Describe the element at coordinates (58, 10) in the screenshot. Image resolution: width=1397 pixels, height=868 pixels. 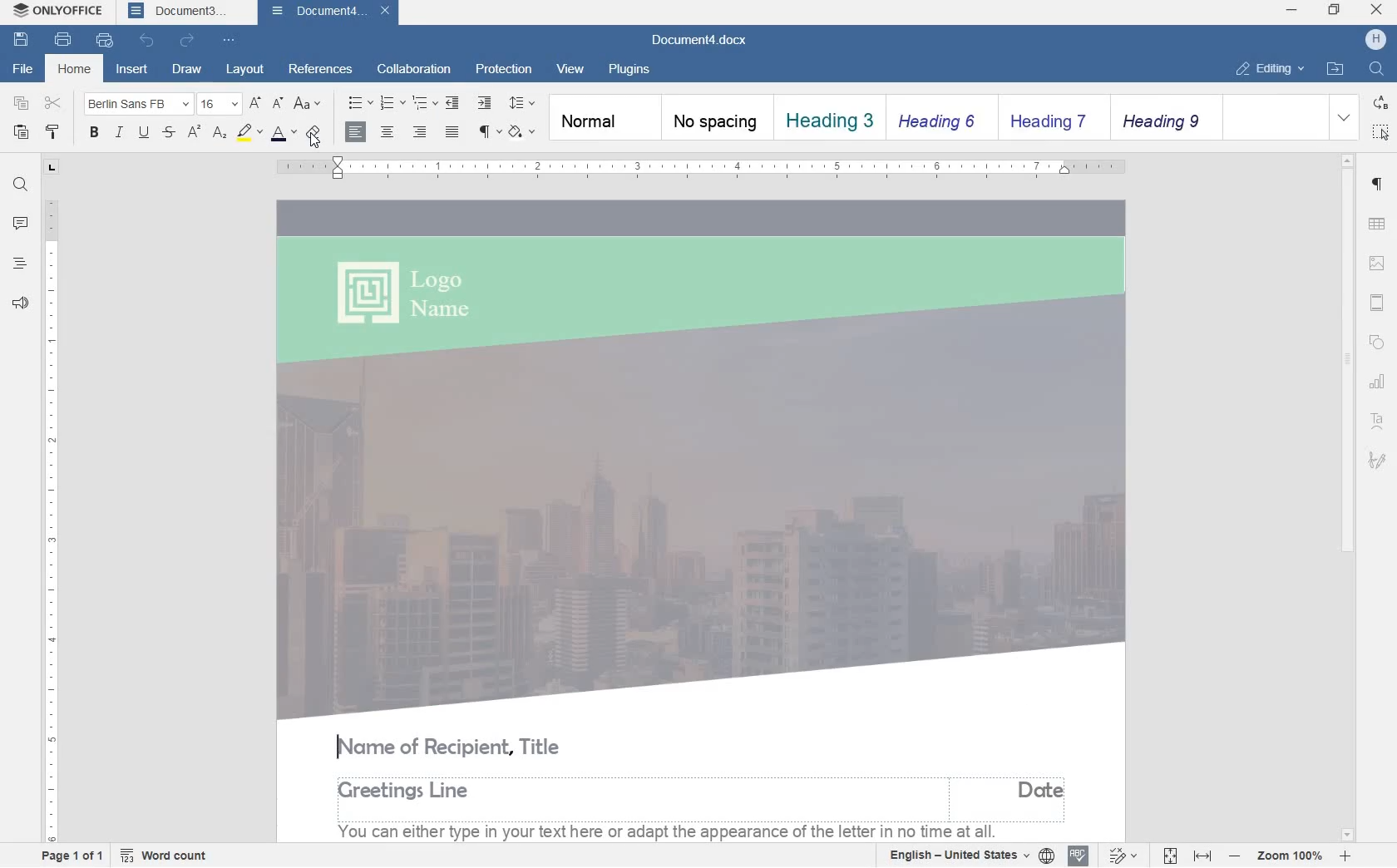
I see `onlyoffice` at that location.